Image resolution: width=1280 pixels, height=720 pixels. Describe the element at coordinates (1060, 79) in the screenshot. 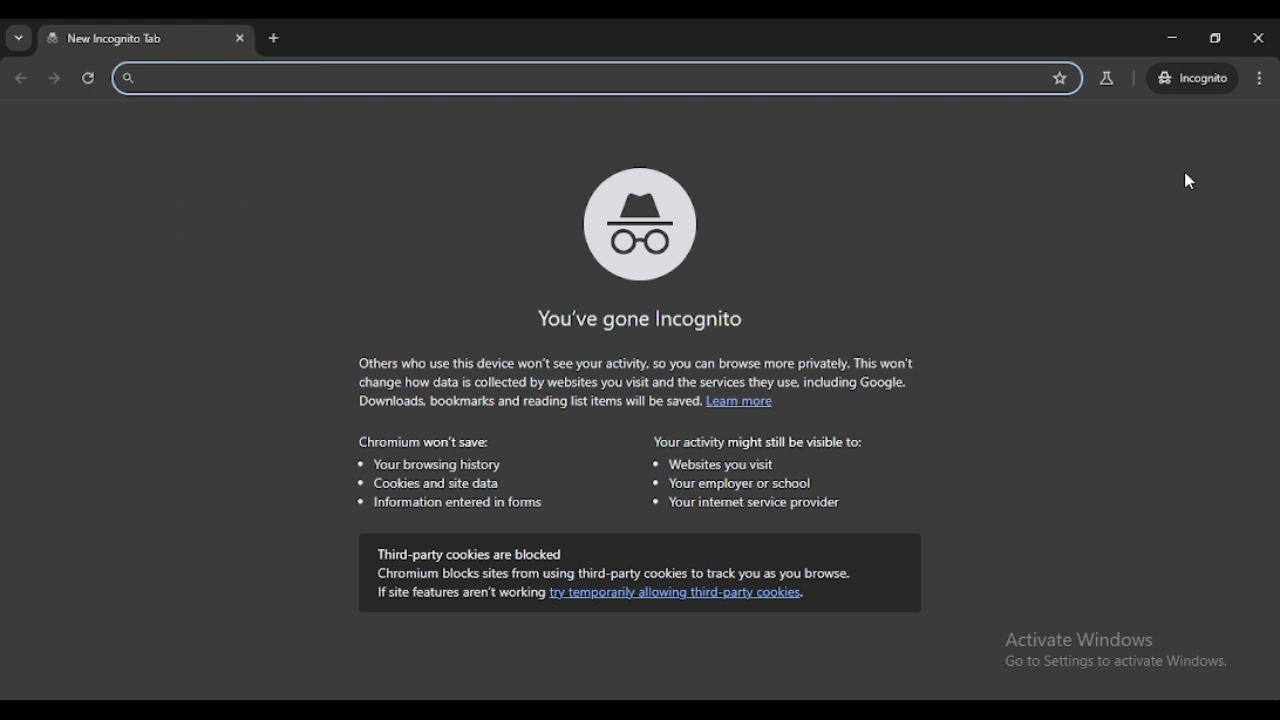

I see `bookmark this tab` at that location.